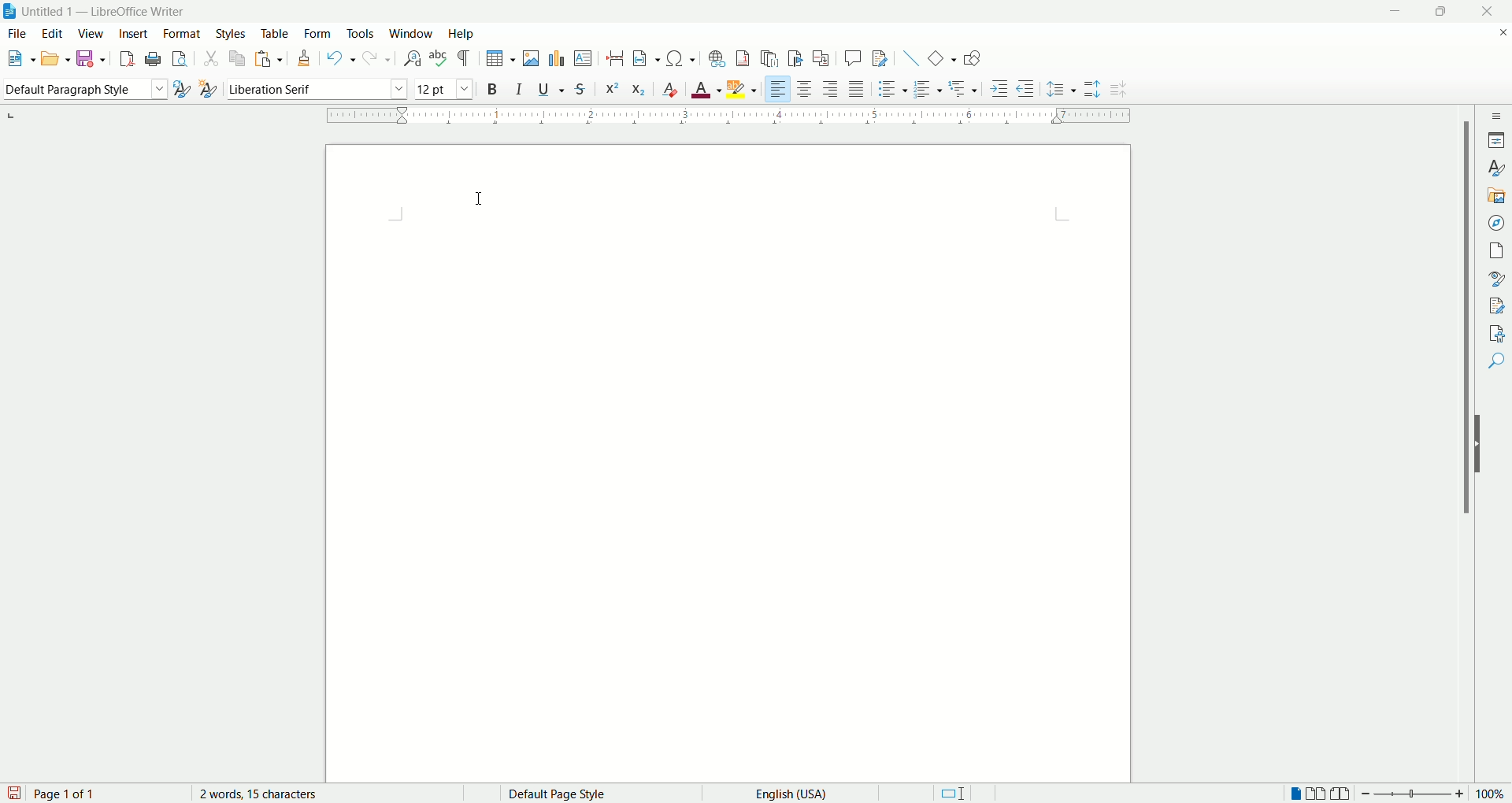  What do you see at coordinates (1499, 224) in the screenshot?
I see `navigator` at bounding box center [1499, 224].